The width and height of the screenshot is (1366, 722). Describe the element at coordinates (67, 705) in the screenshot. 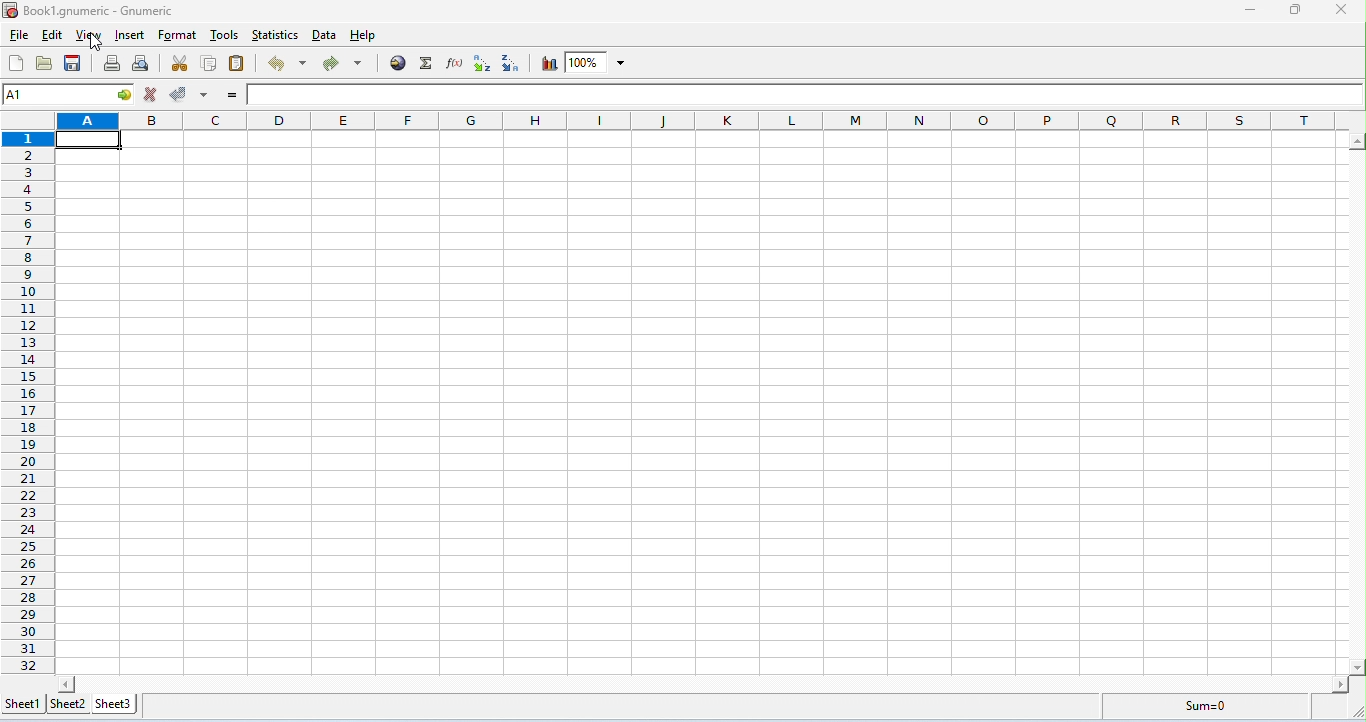

I see `sheet2` at that location.